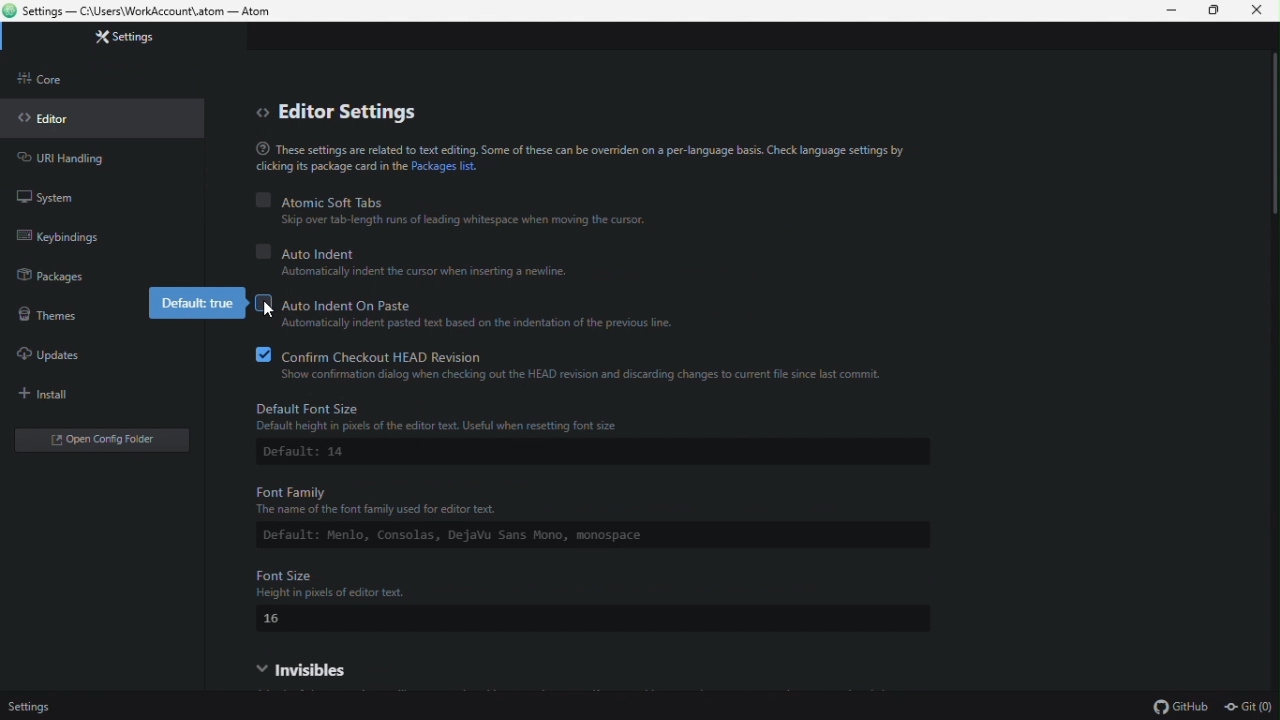  I want to click on Automatically indent pasted text based on the indentation of the previous line., so click(472, 325).